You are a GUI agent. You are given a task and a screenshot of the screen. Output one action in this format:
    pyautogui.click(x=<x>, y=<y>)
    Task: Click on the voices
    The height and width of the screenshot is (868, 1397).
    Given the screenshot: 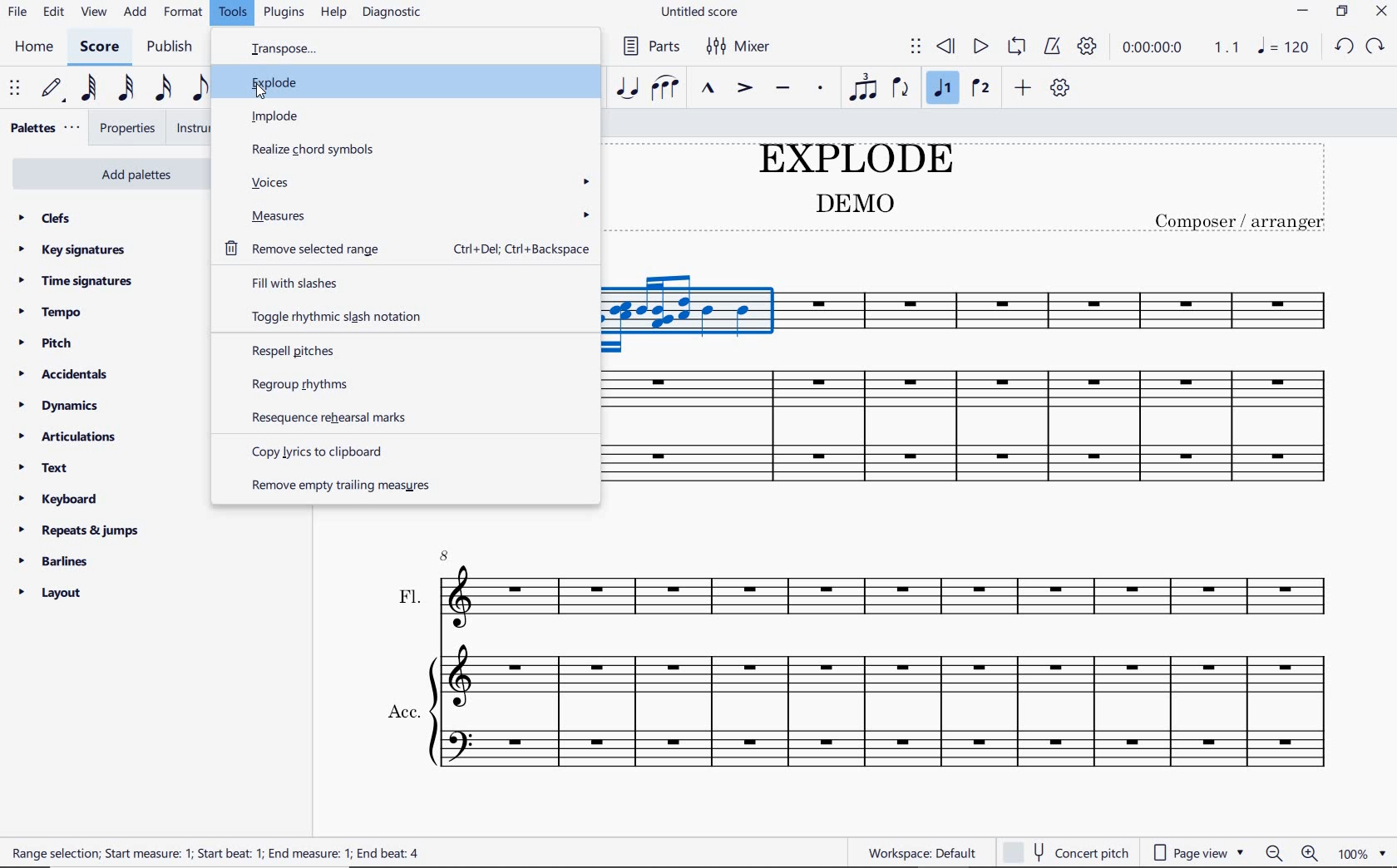 What is the action you would take?
    pyautogui.click(x=411, y=184)
    